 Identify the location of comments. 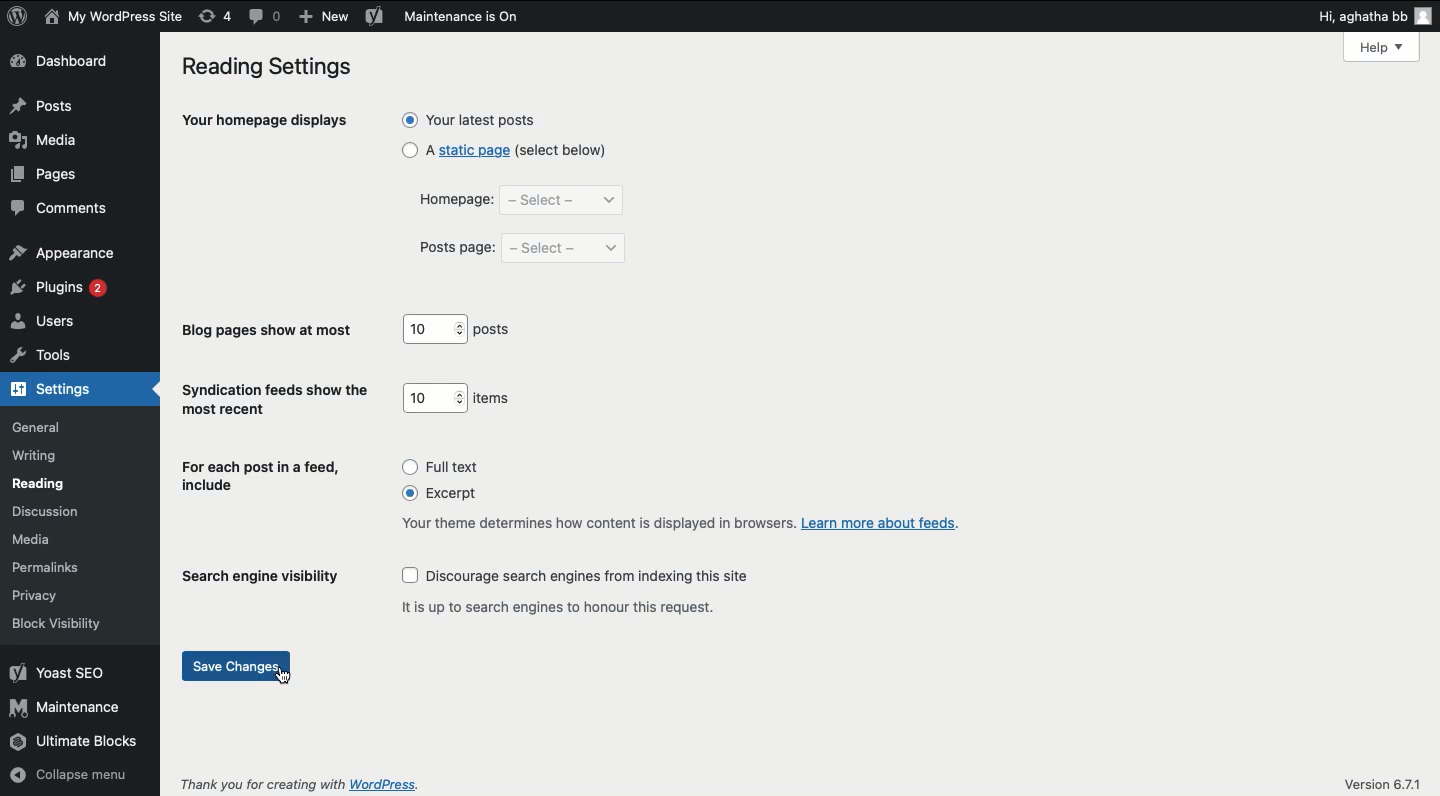
(64, 208).